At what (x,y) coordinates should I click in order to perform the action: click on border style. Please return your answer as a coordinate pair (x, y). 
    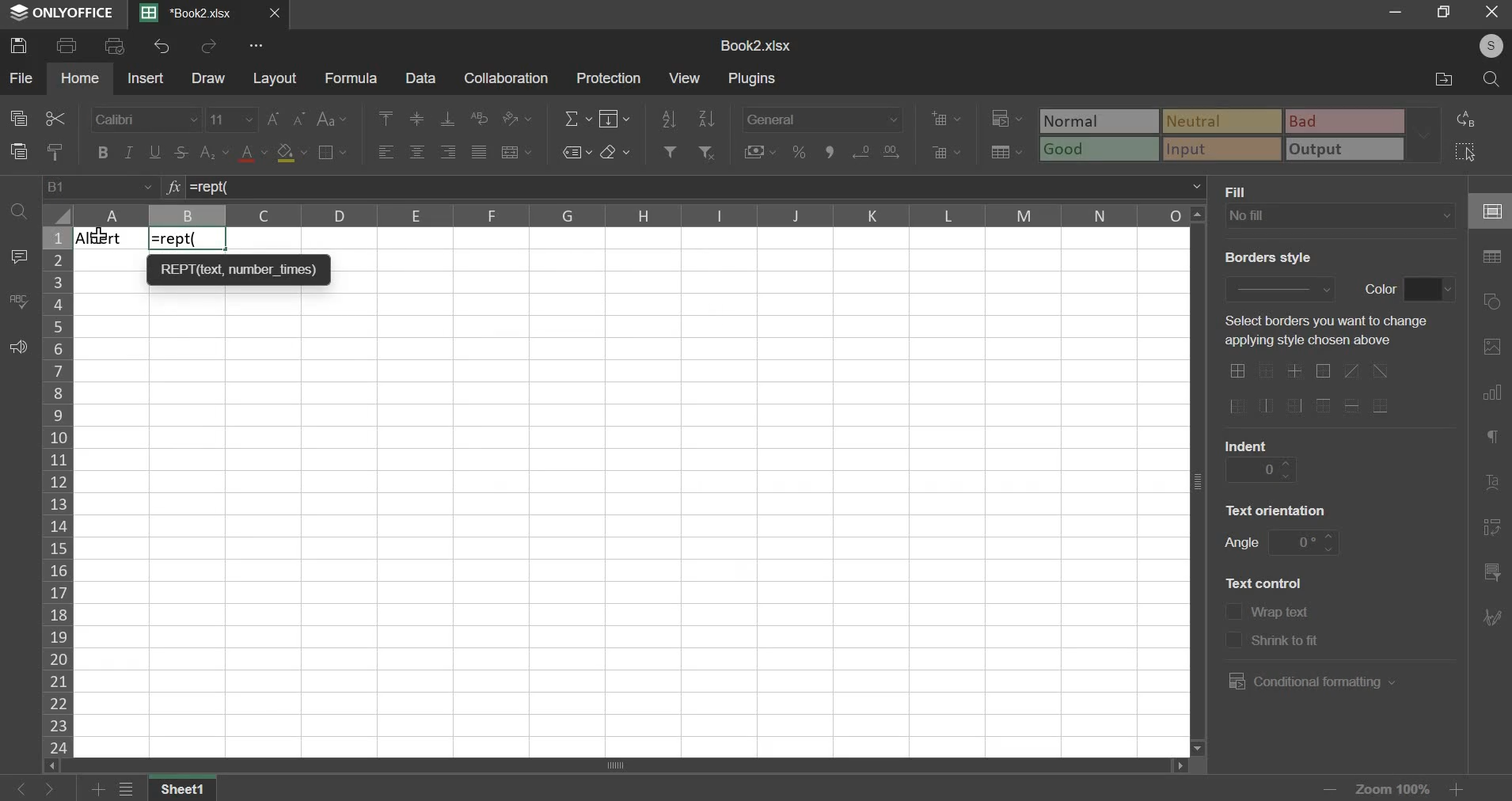
    Looking at the image, I should click on (1286, 290).